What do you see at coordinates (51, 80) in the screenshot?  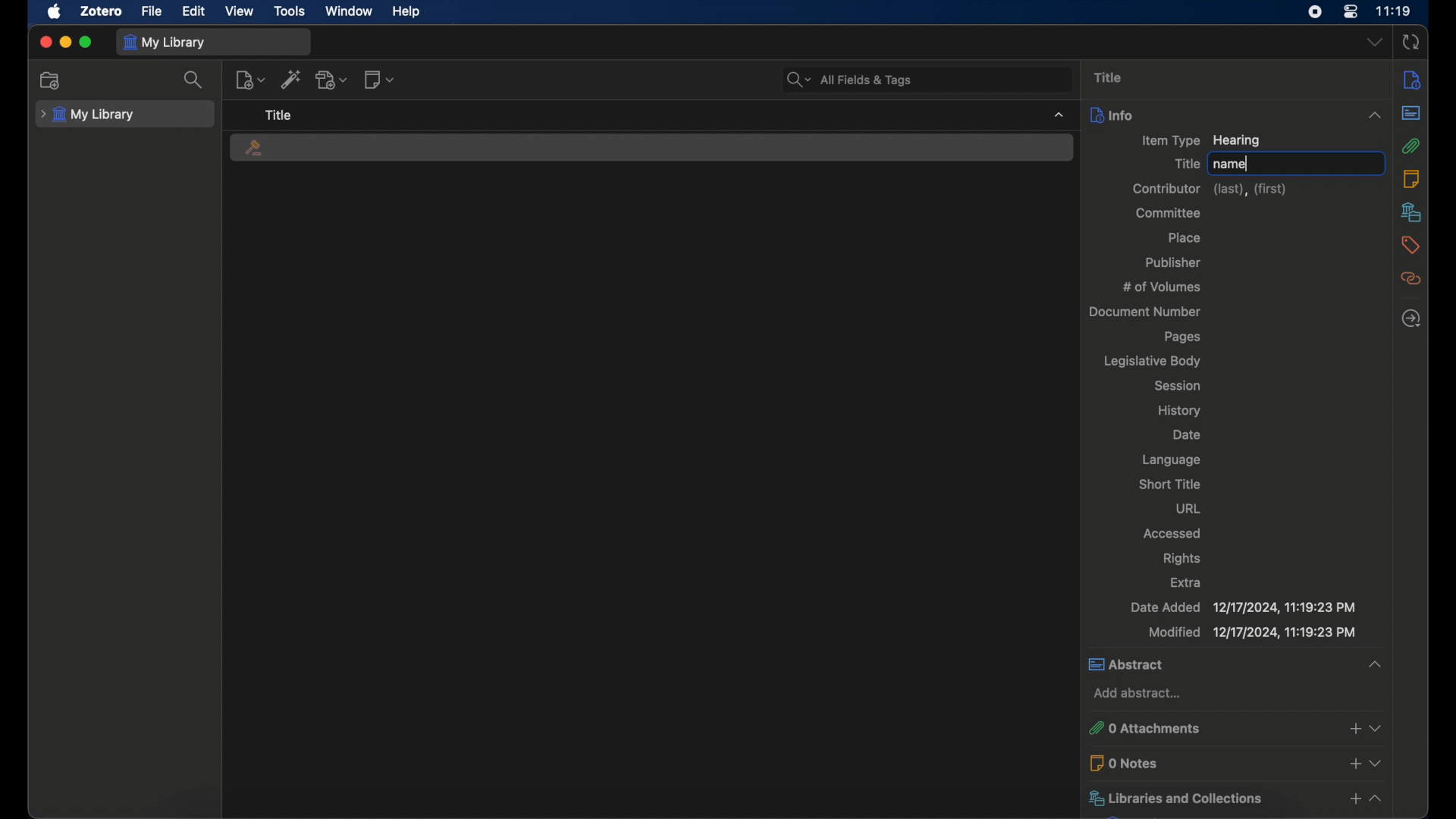 I see `add collection` at bounding box center [51, 80].